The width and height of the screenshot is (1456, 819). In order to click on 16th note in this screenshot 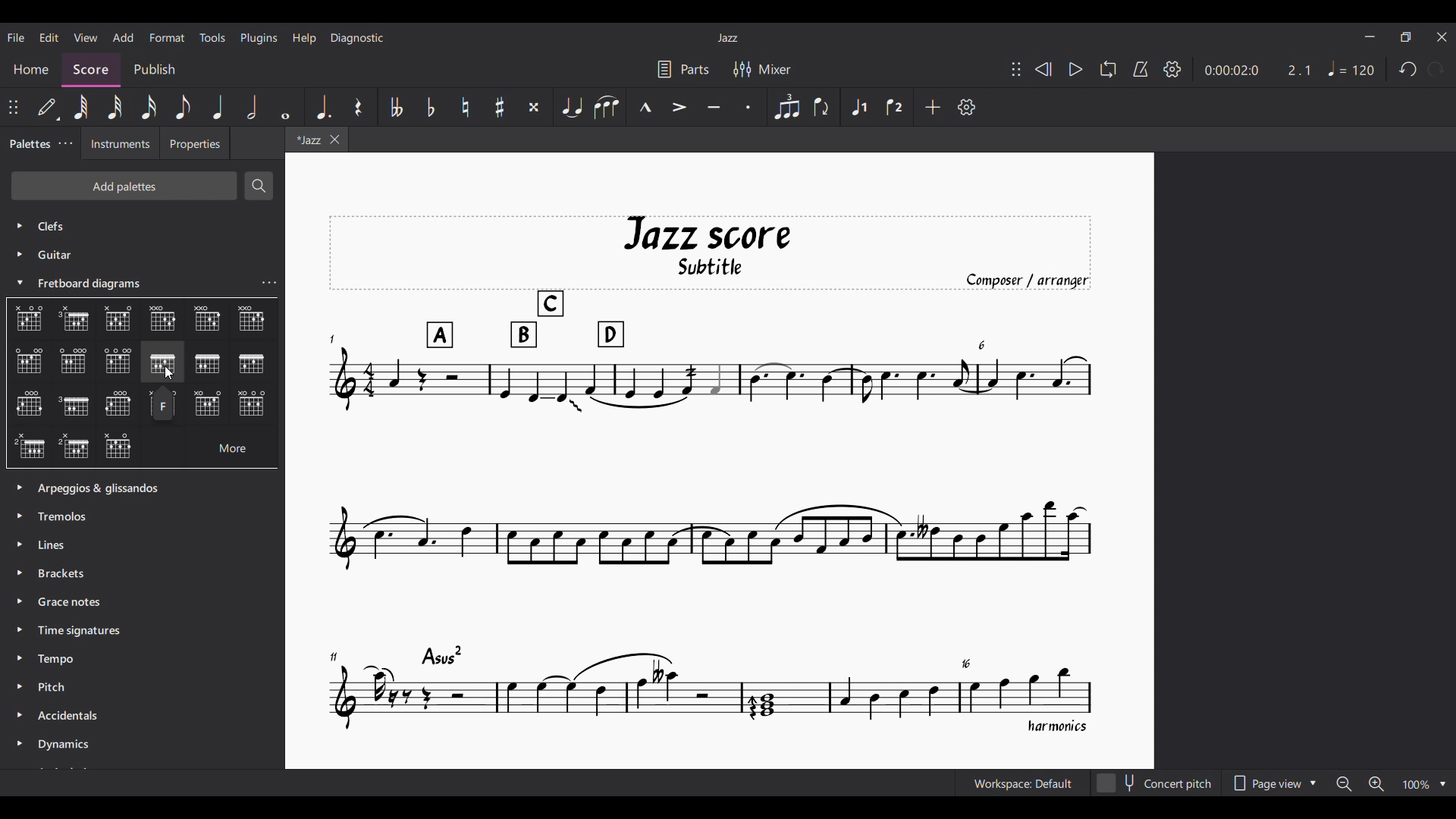, I will do `click(149, 107)`.